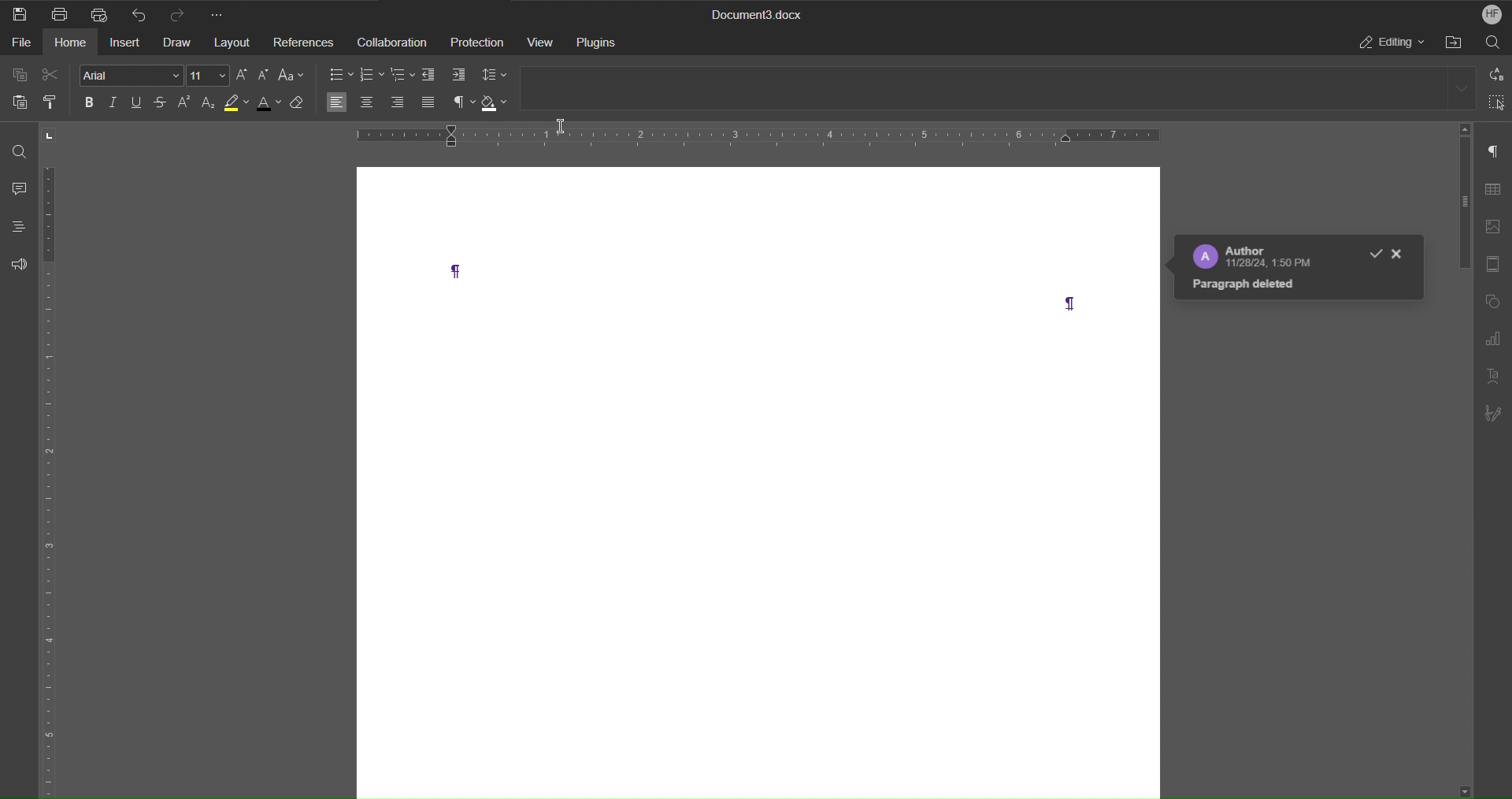 This screenshot has height=799, width=1512. I want to click on Paragraph Deleted, so click(1293, 289).